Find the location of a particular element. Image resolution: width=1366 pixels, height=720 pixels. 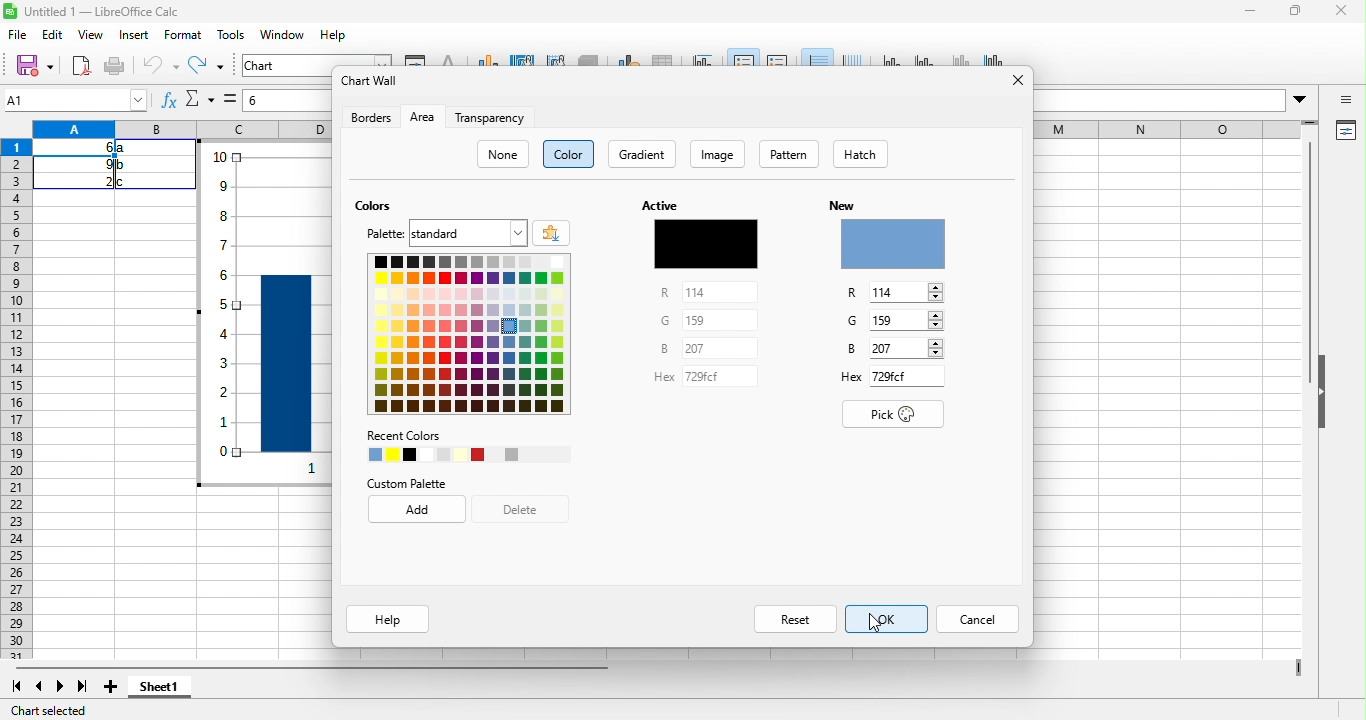

export as pdf is located at coordinates (81, 65).